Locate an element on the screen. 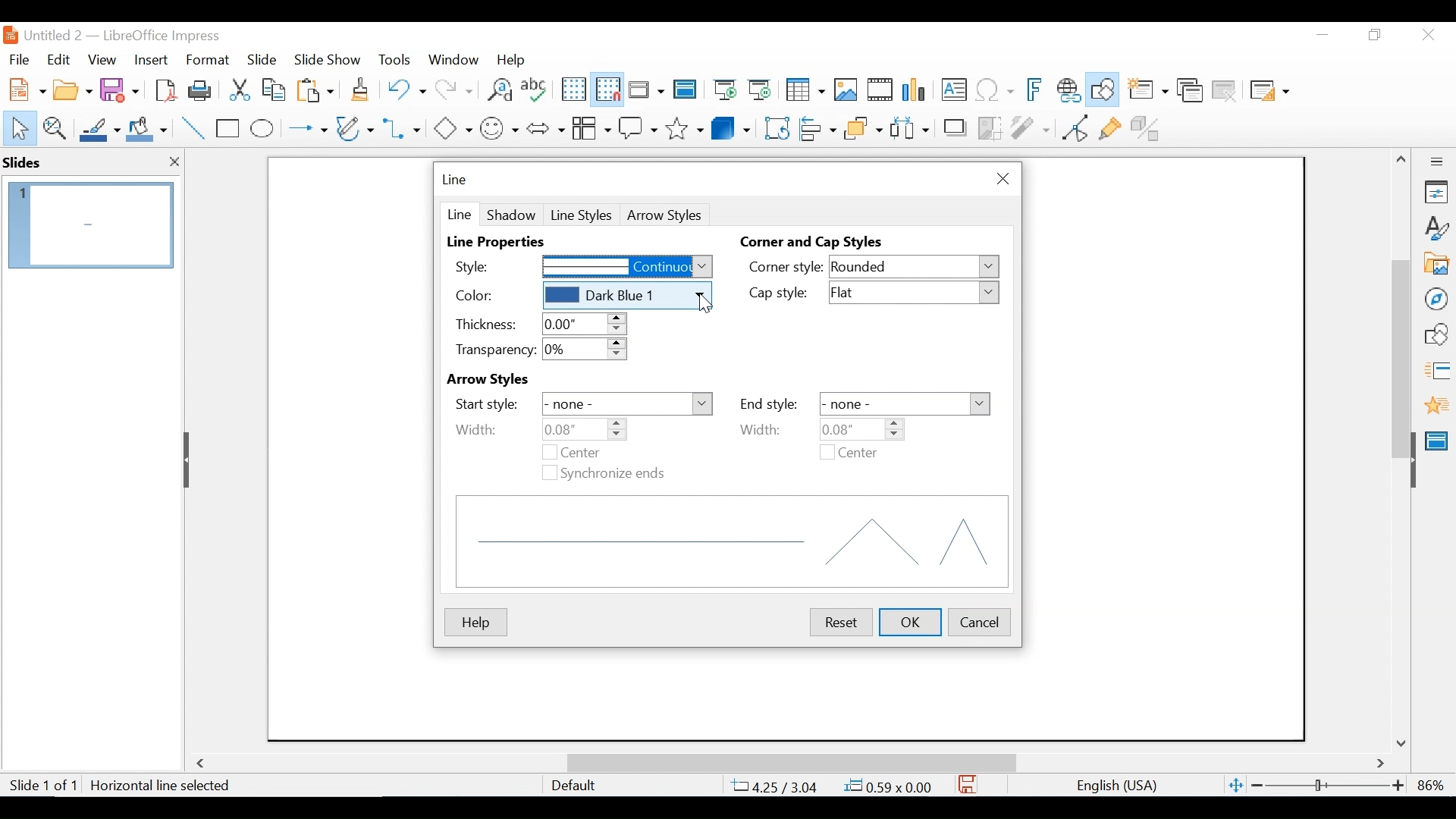 This screenshot has width=1456, height=819. Width is located at coordinates (771, 429).